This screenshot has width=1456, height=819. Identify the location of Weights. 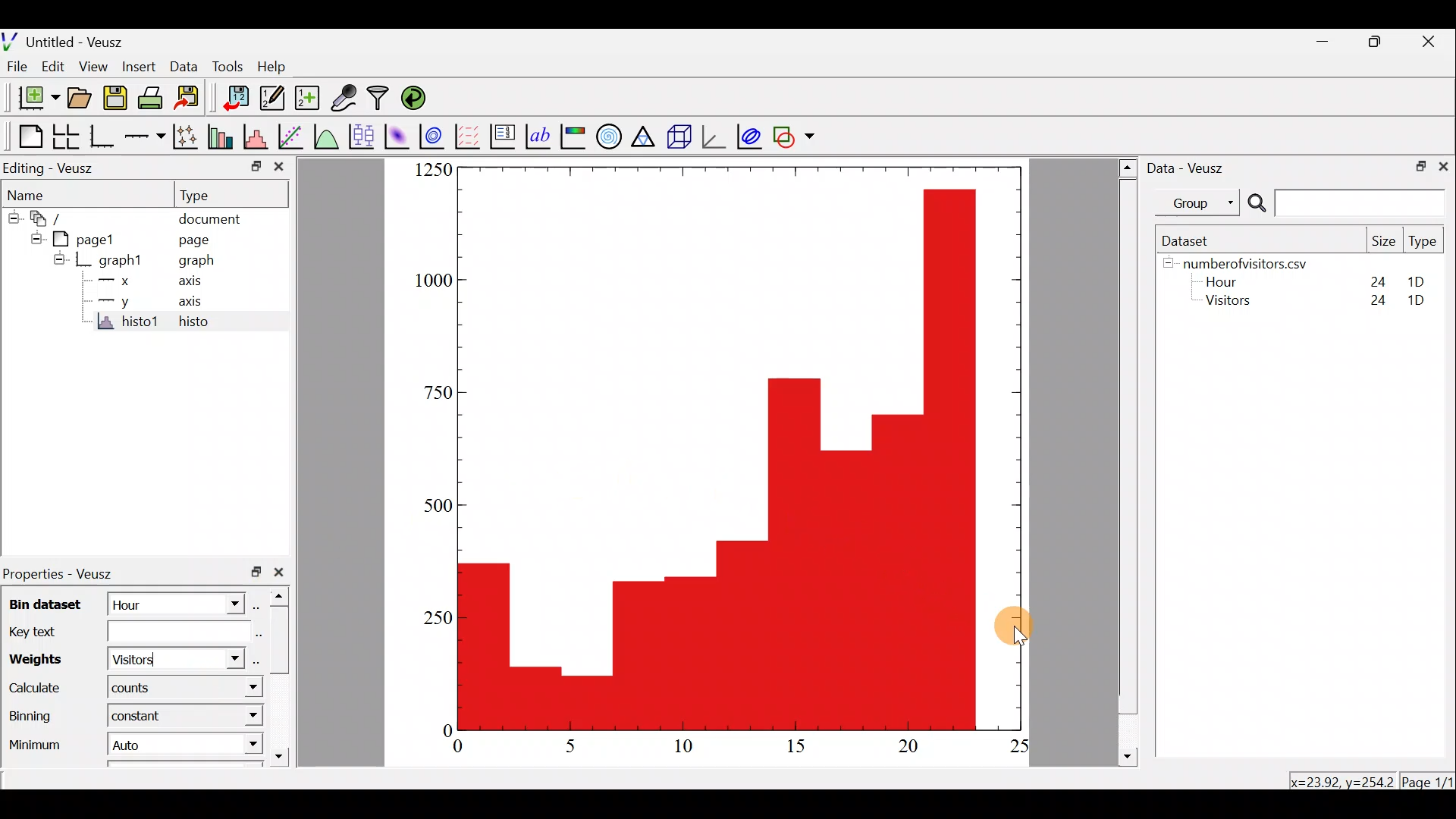
(45, 659).